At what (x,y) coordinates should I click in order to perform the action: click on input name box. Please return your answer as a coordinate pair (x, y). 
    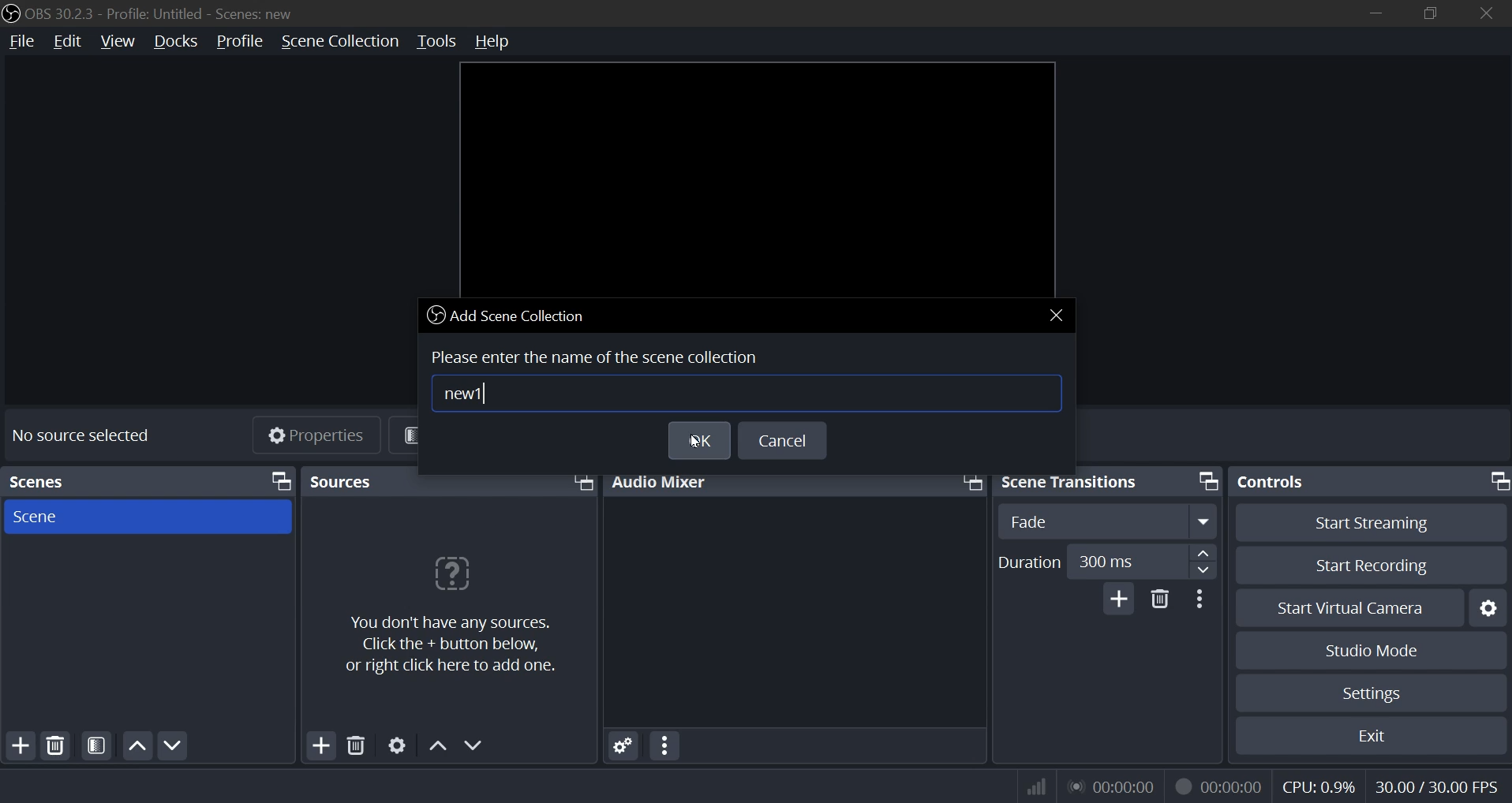
    Looking at the image, I should click on (794, 394).